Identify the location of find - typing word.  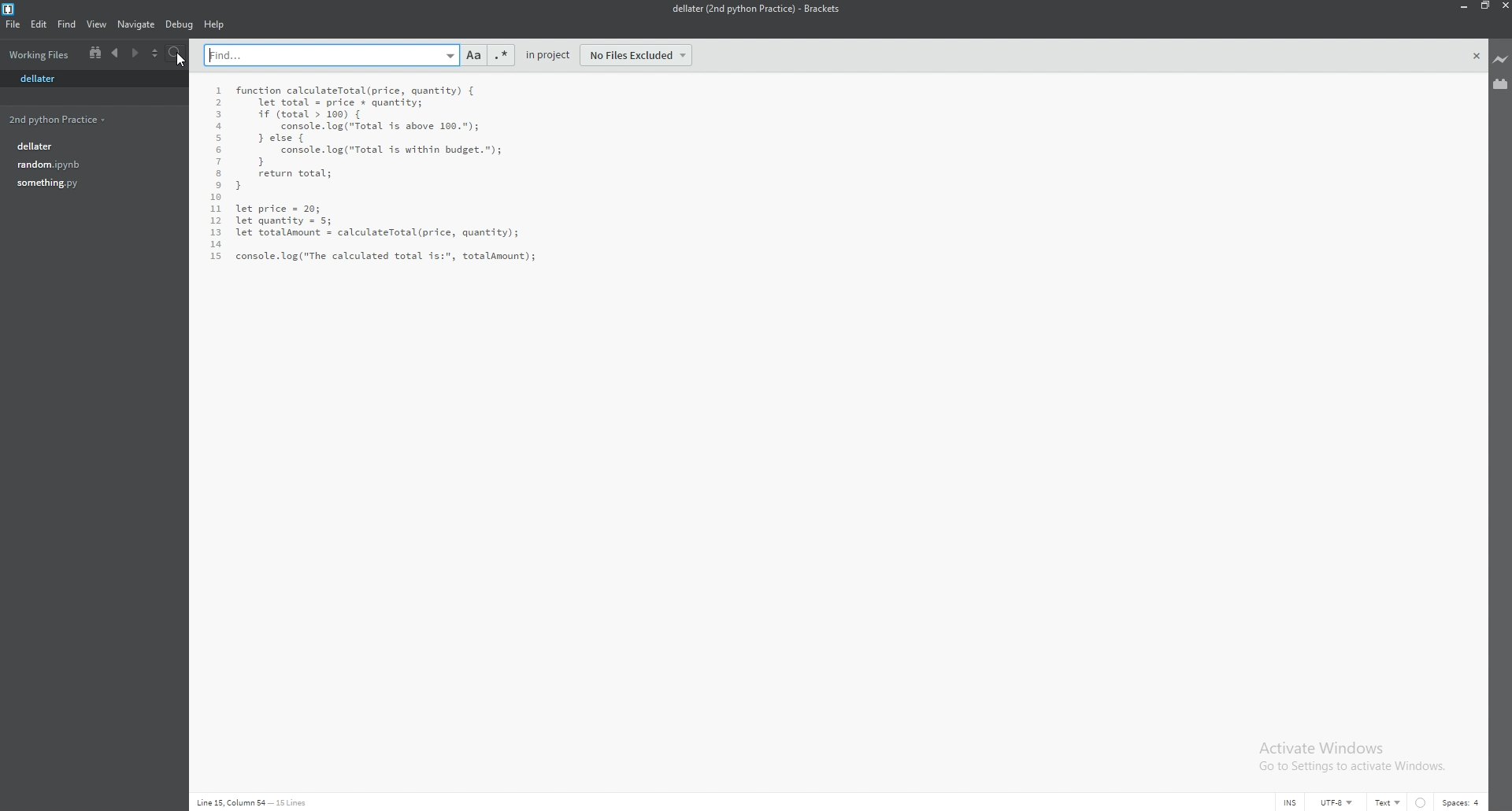
(332, 54).